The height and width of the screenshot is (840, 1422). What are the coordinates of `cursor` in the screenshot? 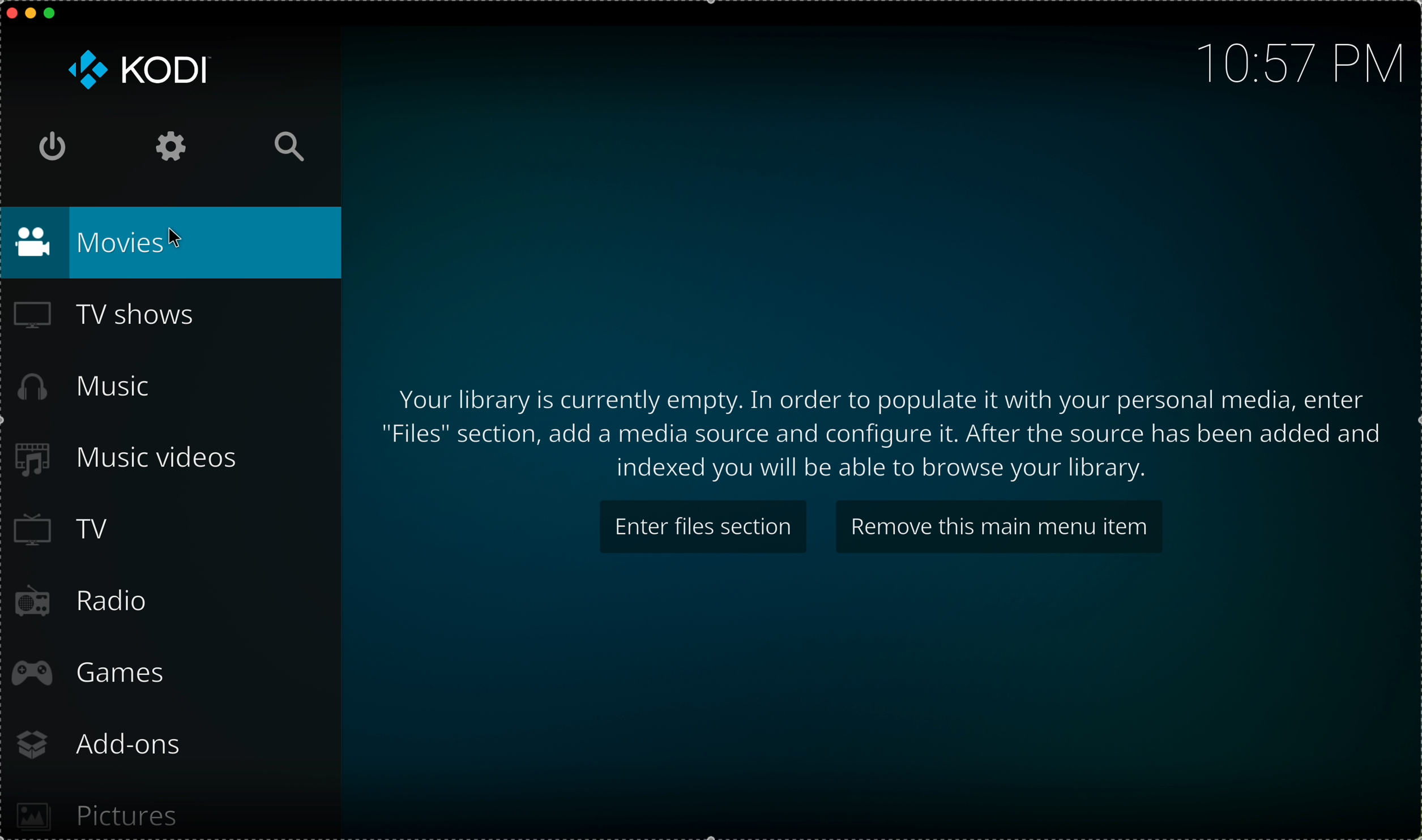 It's located at (177, 238).